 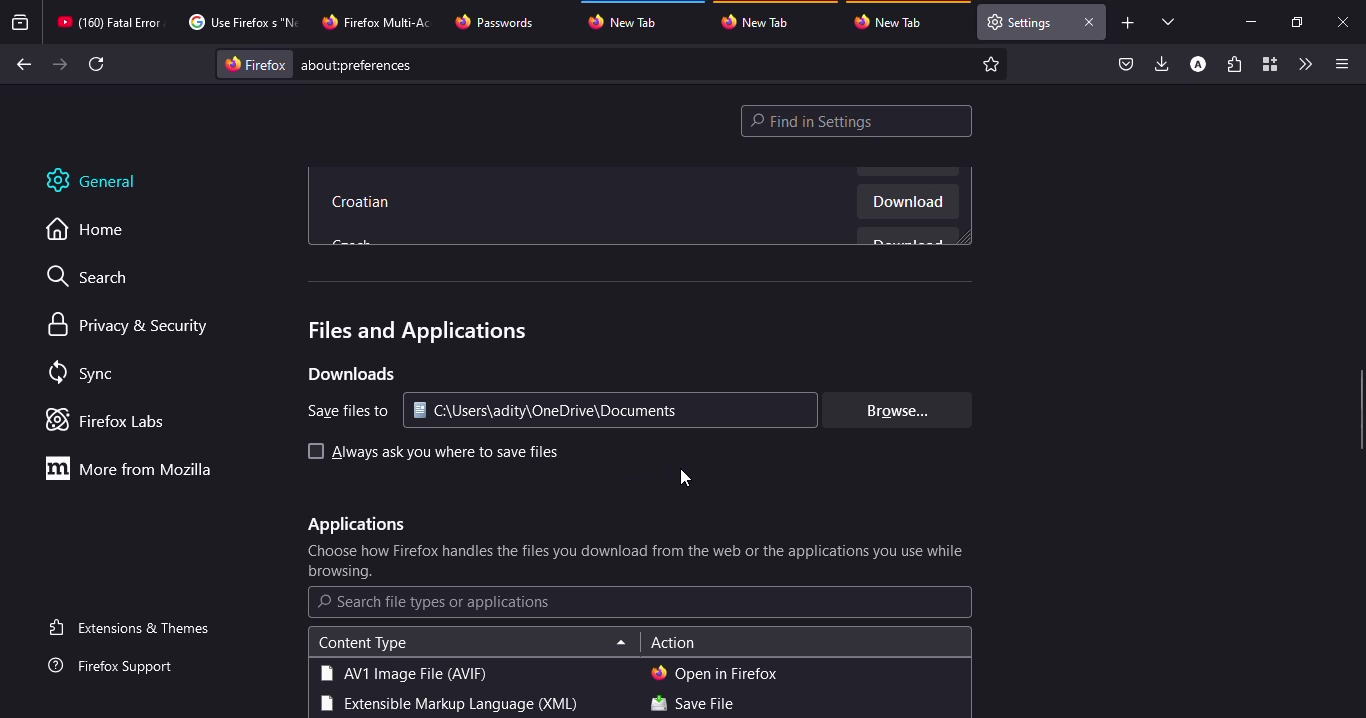 I want to click on forward, so click(x=60, y=64).